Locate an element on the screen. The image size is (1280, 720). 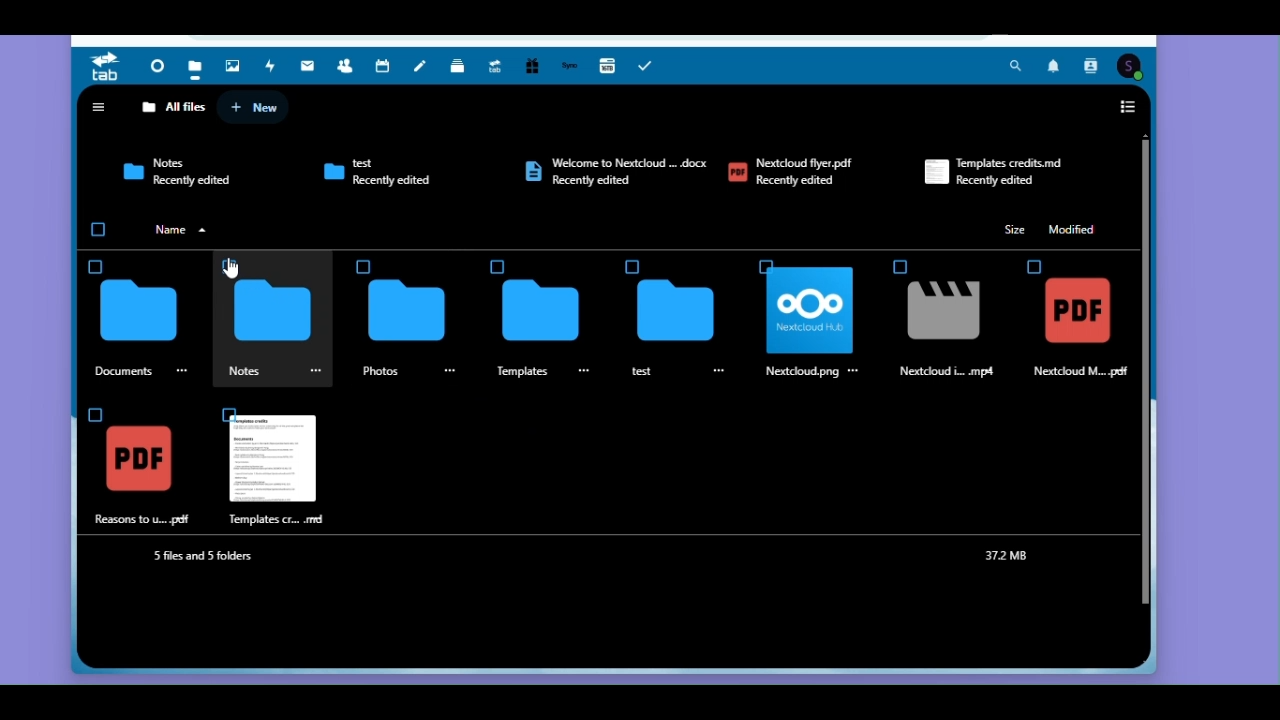
Icon is located at coordinates (274, 459).